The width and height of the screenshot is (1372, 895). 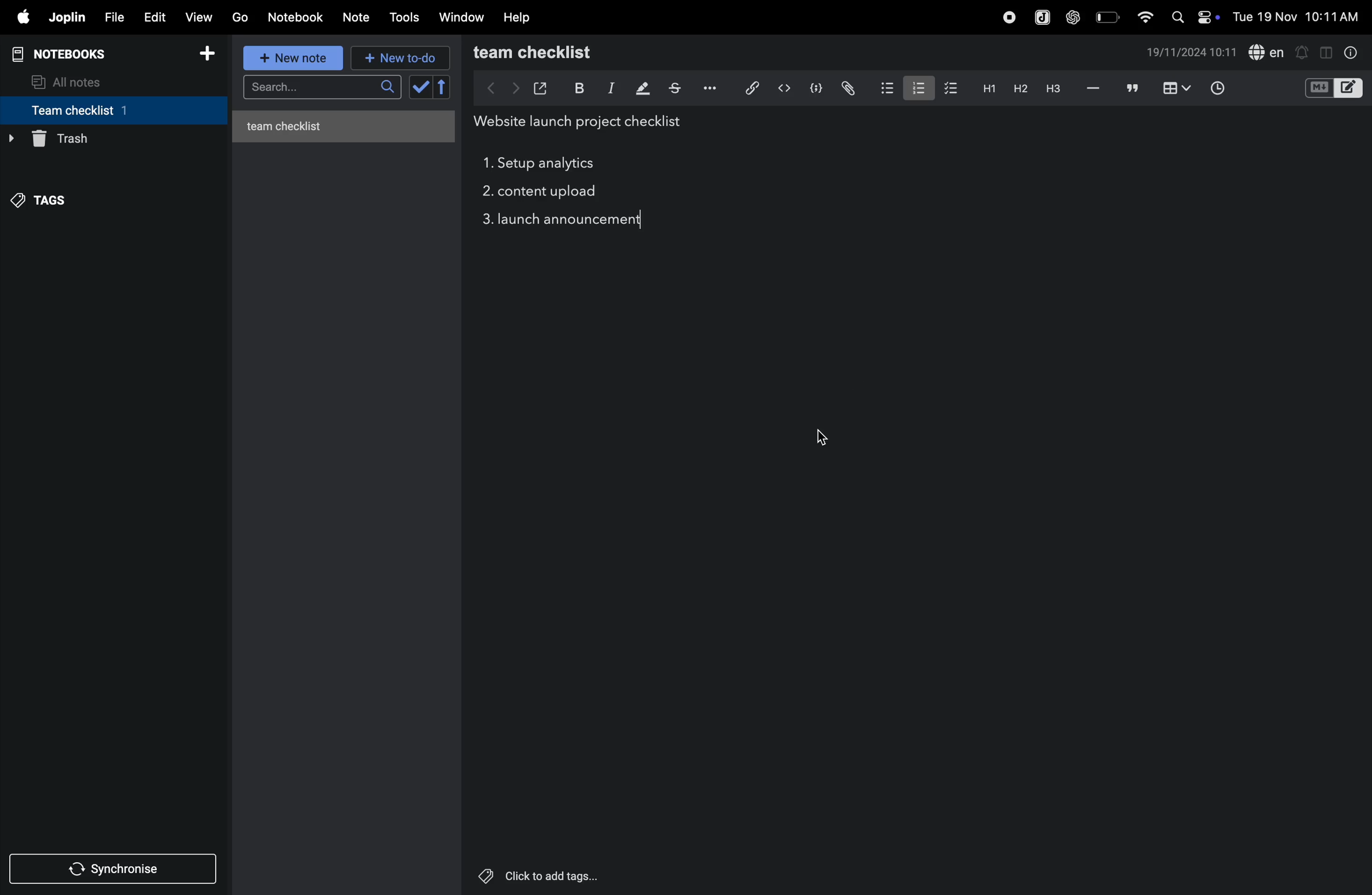 What do you see at coordinates (784, 88) in the screenshot?
I see `inline code` at bounding box center [784, 88].